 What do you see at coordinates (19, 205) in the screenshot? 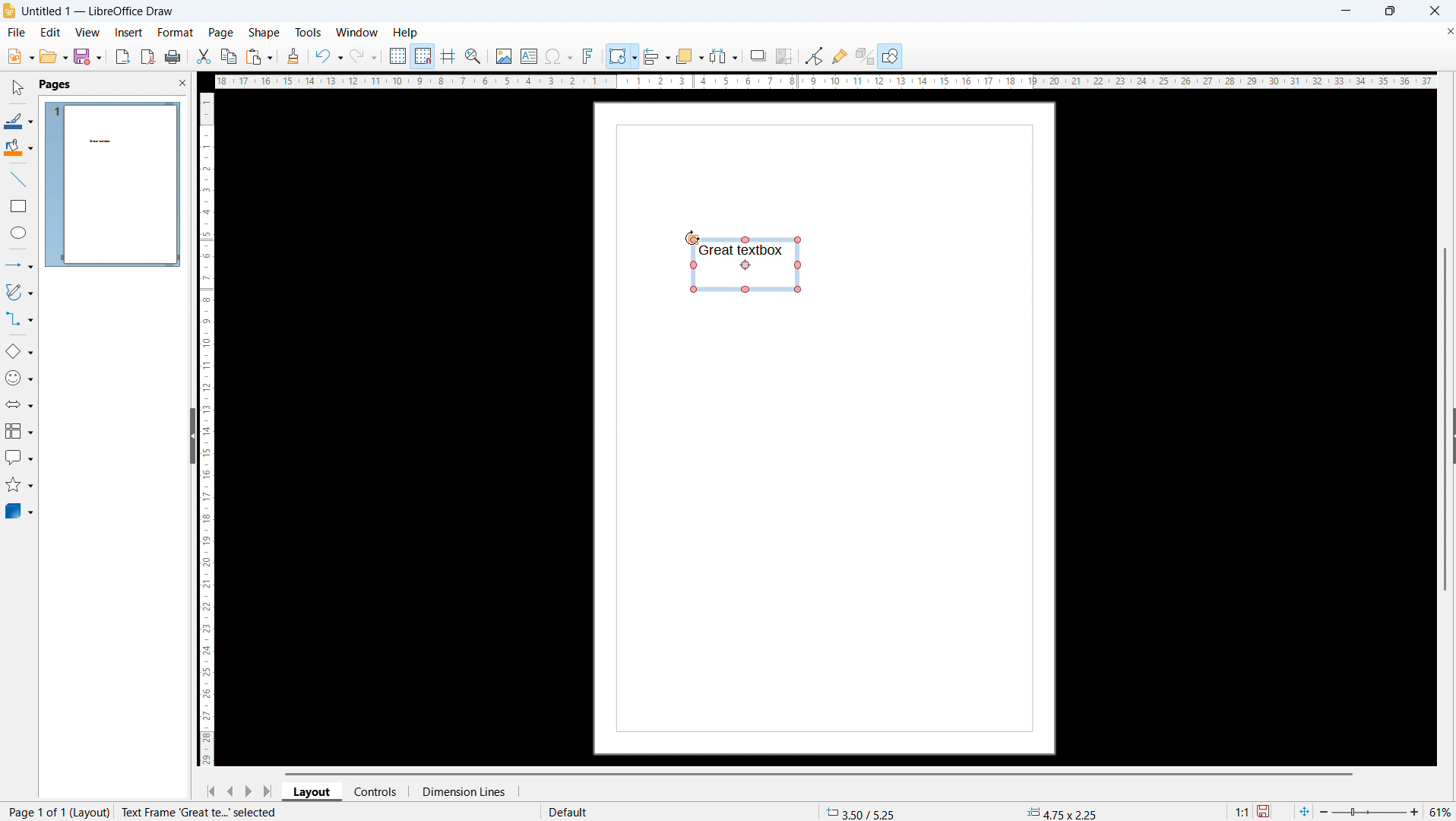
I see `rectangle` at bounding box center [19, 205].